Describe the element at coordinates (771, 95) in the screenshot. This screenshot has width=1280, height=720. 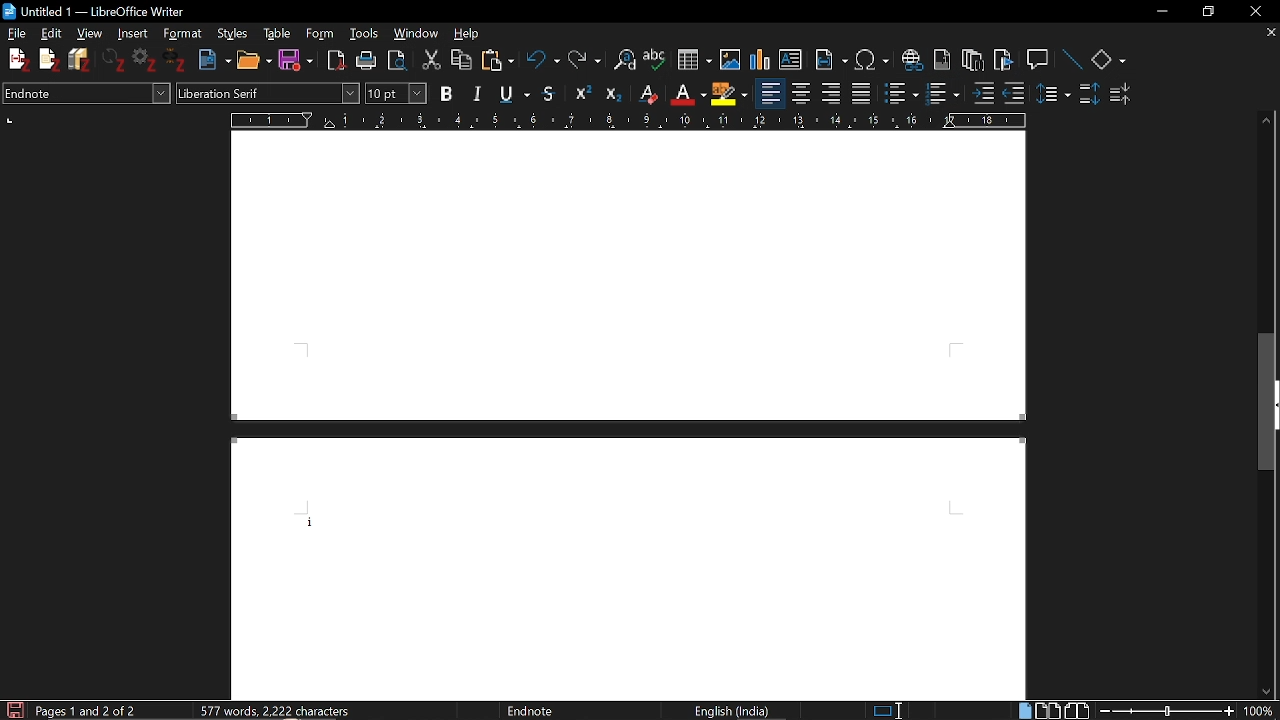
I see `Align left` at that location.